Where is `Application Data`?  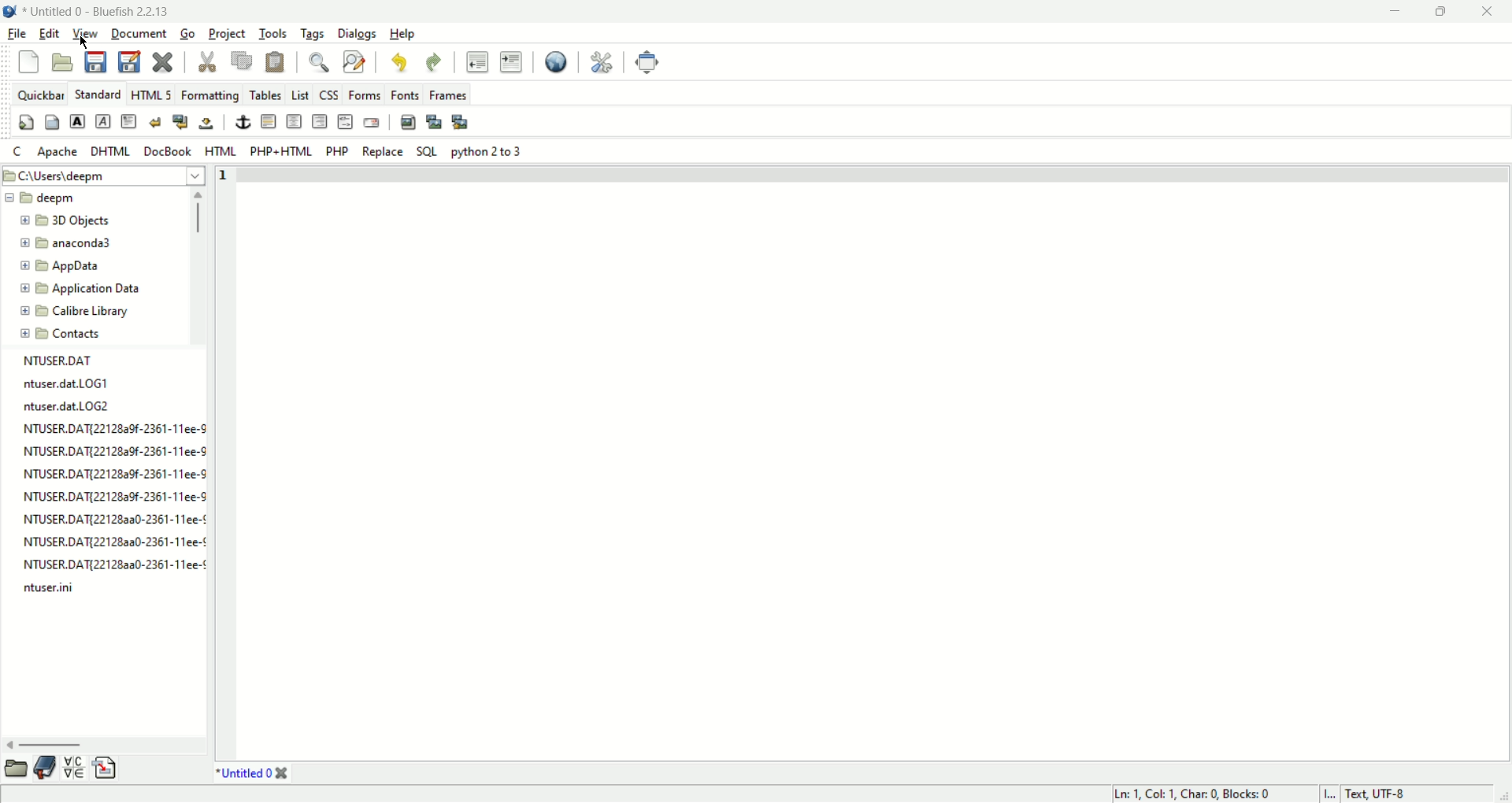 Application Data is located at coordinates (80, 288).